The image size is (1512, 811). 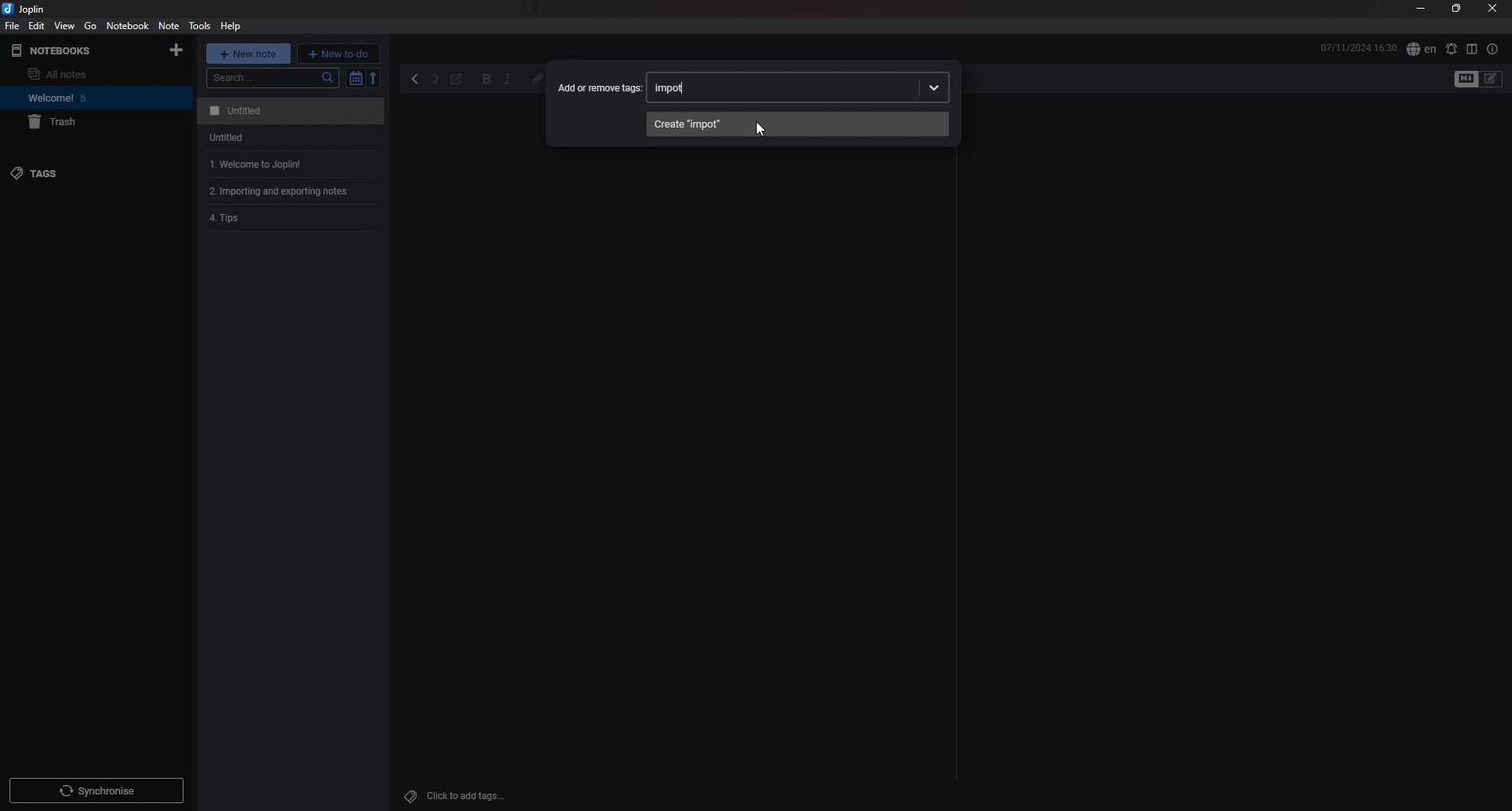 What do you see at coordinates (65, 26) in the screenshot?
I see `view` at bounding box center [65, 26].